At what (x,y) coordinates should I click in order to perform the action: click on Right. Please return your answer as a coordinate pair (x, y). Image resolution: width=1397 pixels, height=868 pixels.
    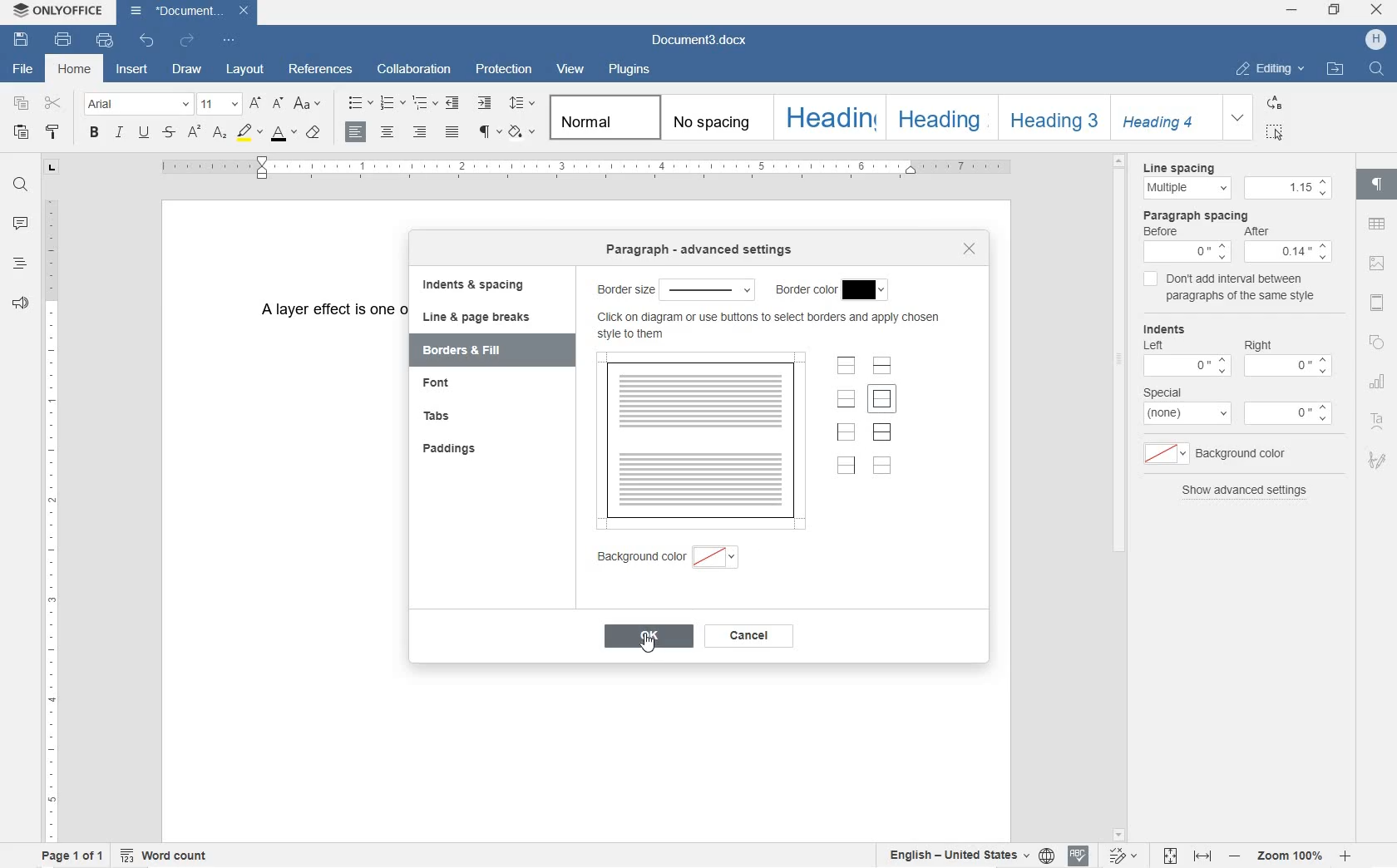
    Looking at the image, I should click on (1286, 353).